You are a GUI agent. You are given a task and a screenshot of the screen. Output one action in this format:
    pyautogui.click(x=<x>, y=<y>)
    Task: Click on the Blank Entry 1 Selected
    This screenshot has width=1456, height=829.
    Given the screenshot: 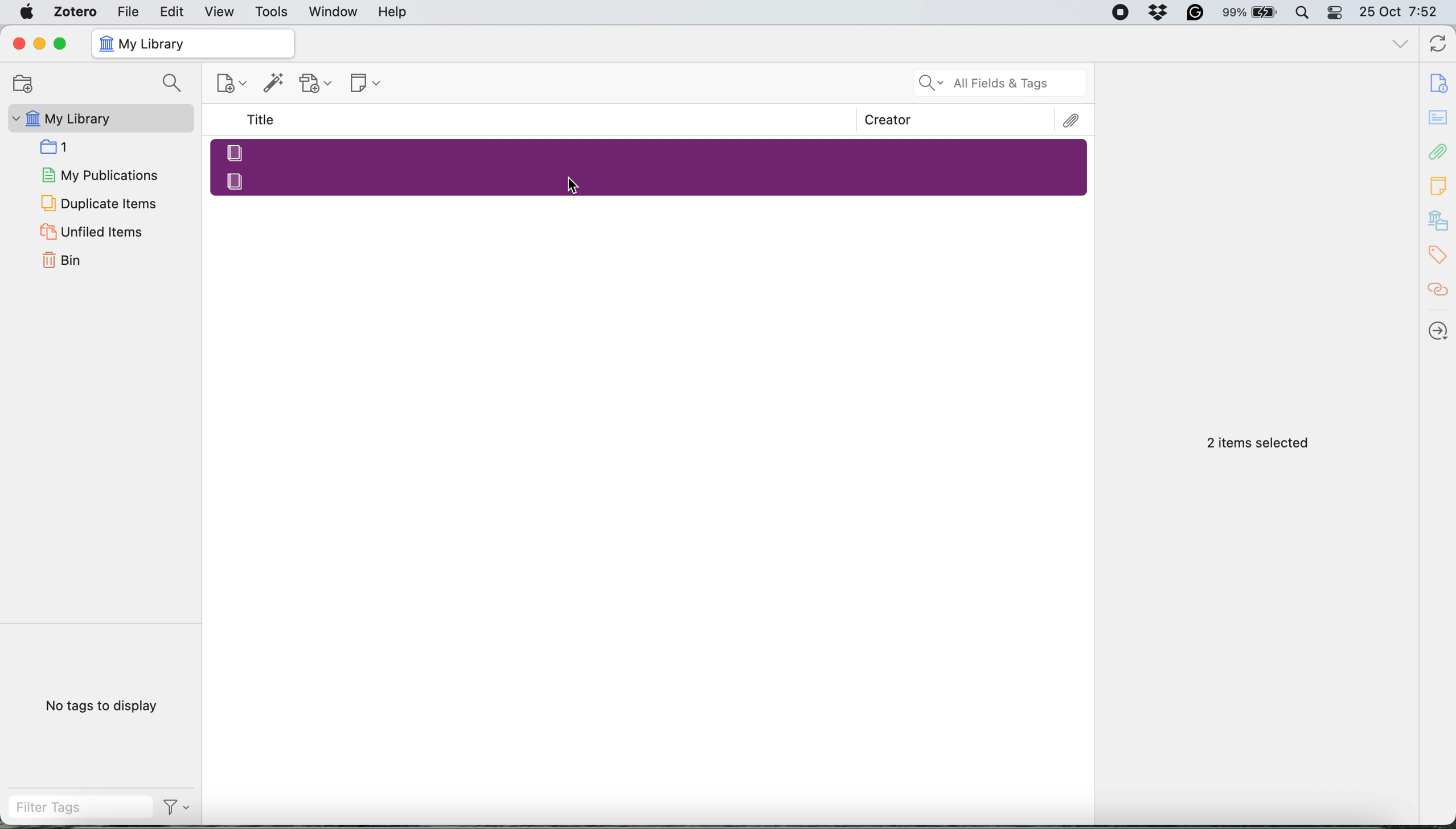 What is the action you would take?
    pyautogui.click(x=648, y=151)
    